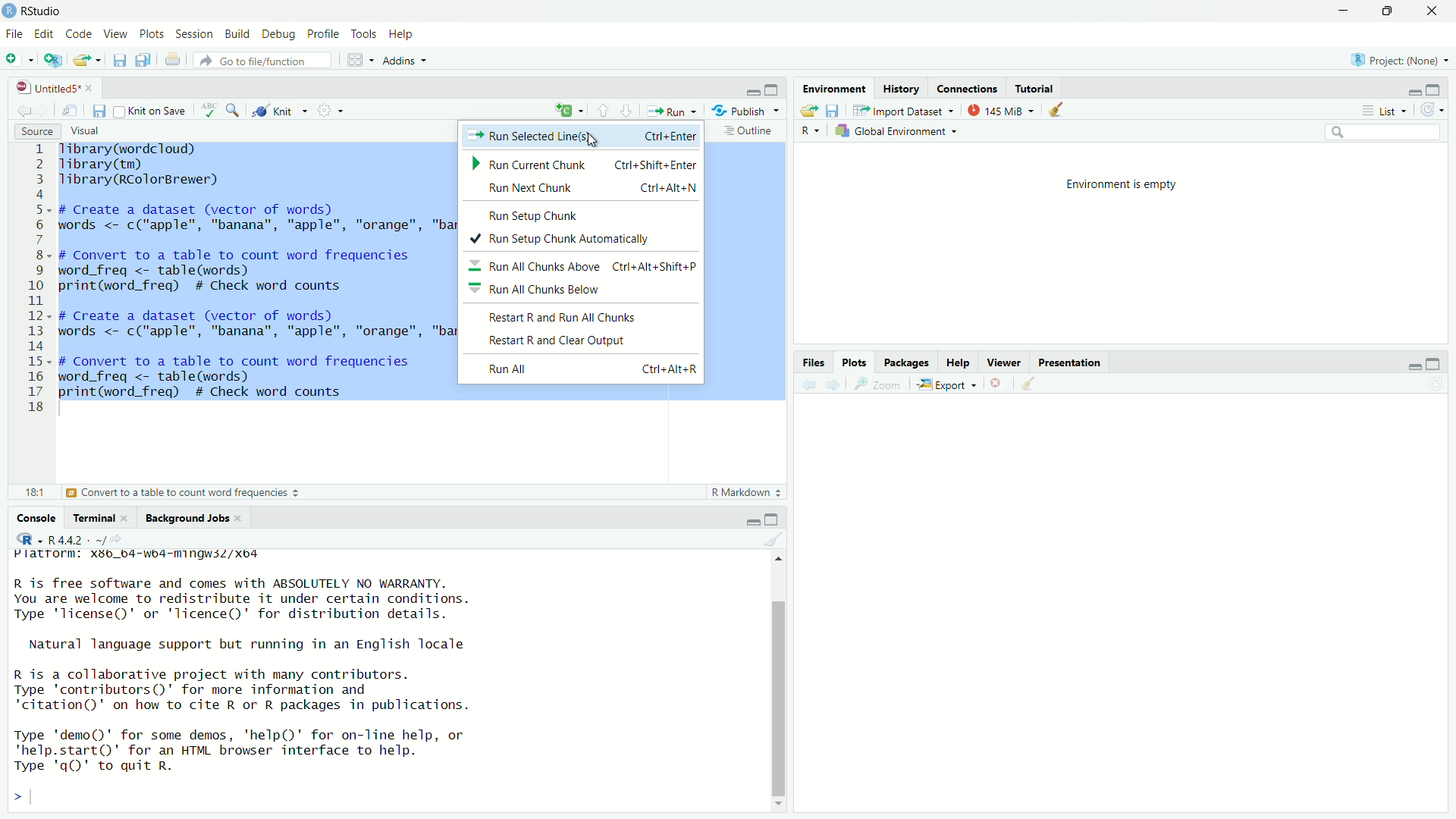  Describe the element at coordinates (86, 60) in the screenshot. I see `Open an existing file` at that location.